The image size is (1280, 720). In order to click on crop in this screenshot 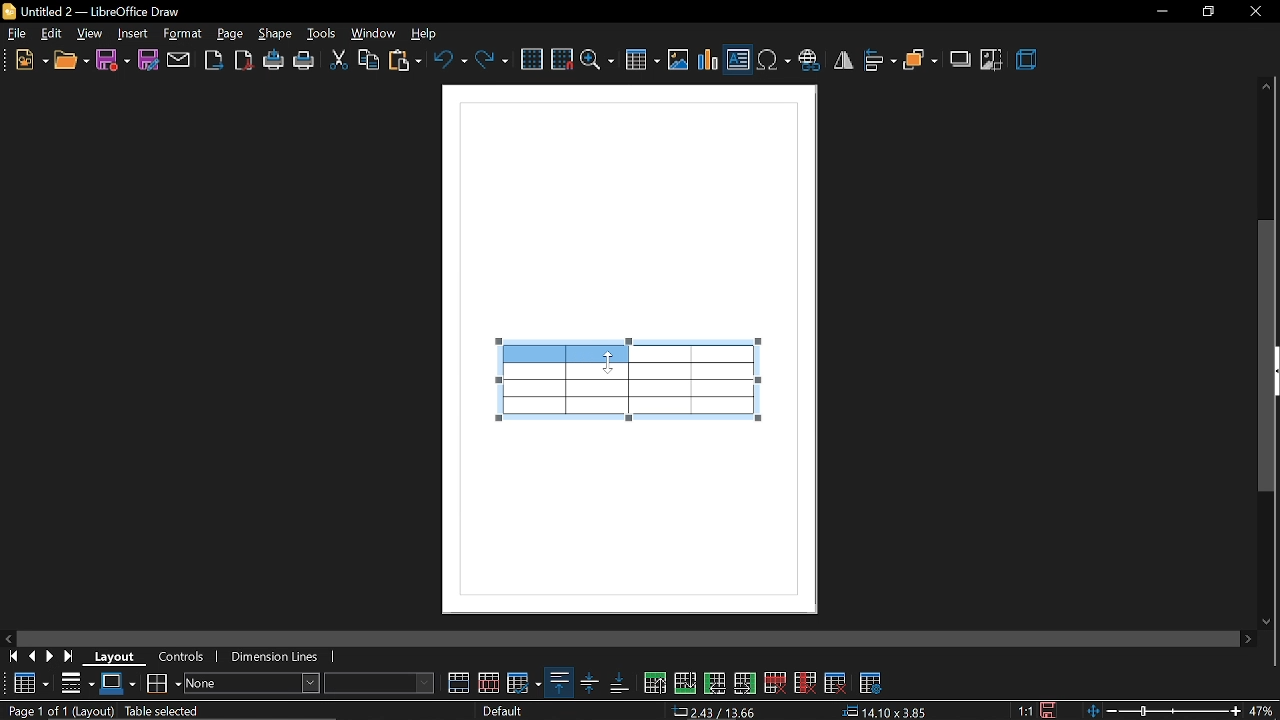, I will do `click(991, 61)`.